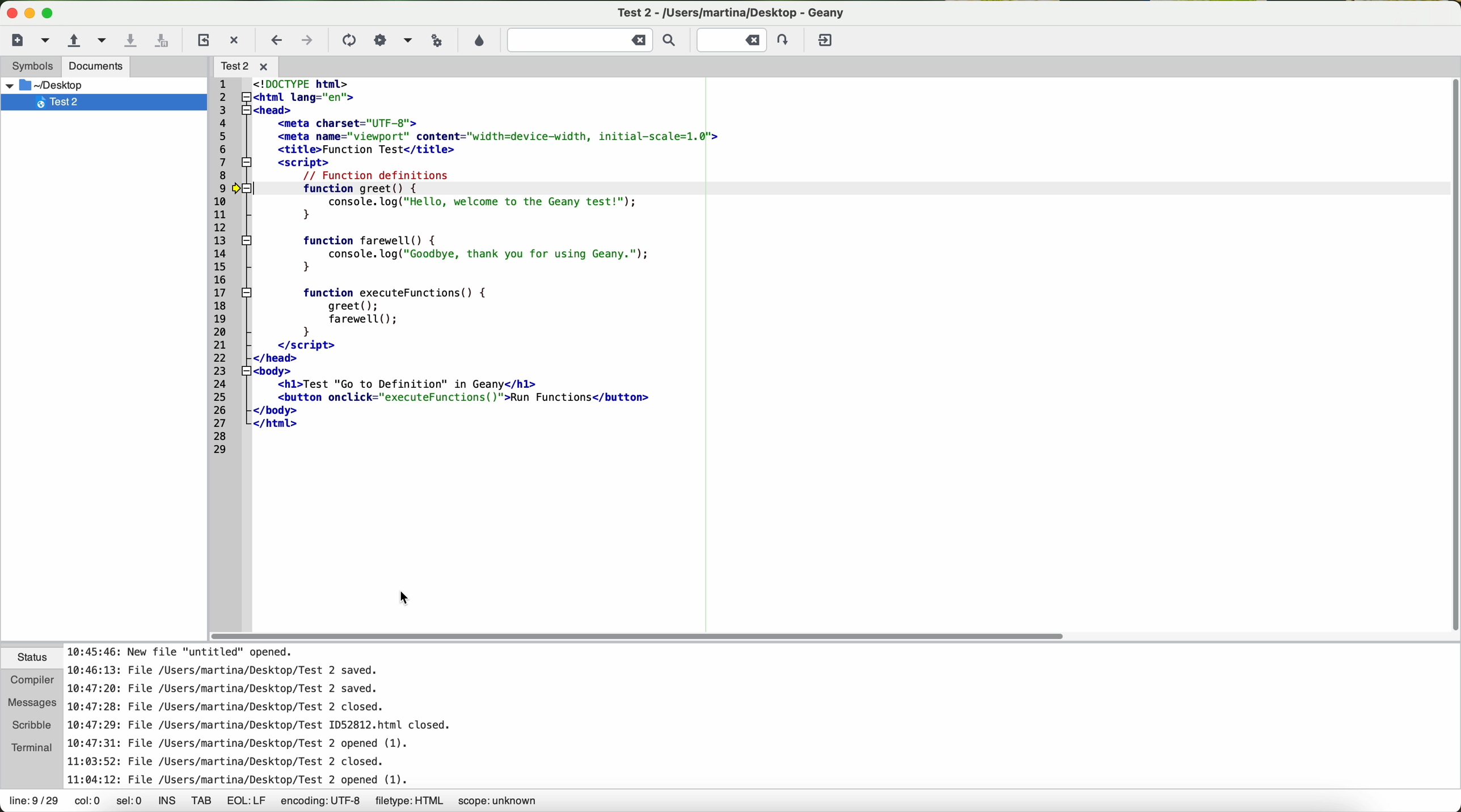 Image resolution: width=1461 pixels, height=812 pixels. What do you see at coordinates (482, 189) in the screenshot?
I see `function greet() {` at bounding box center [482, 189].